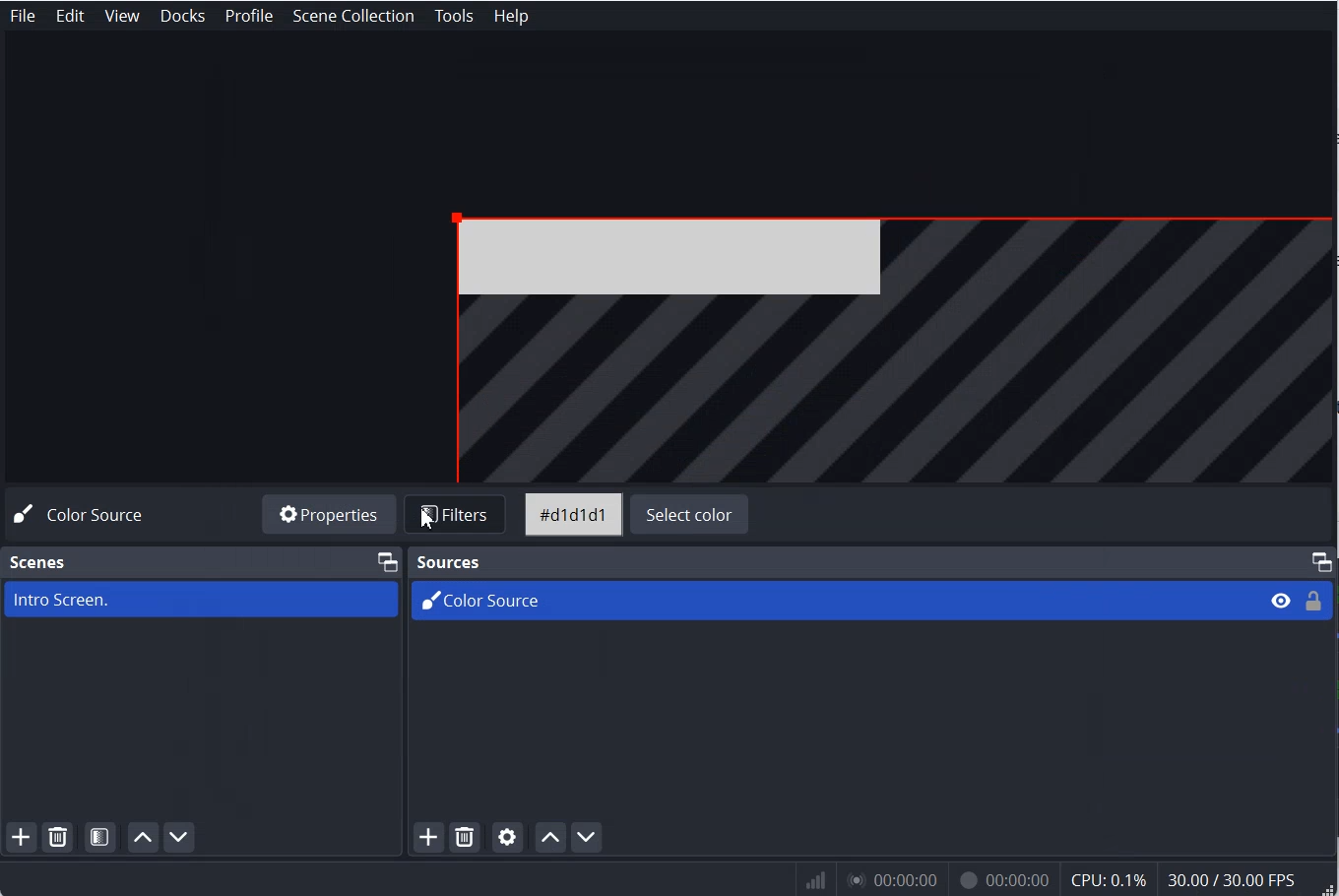 This screenshot has width=1339, height=896. Describe the element at coordinates (459, 516) in the screenshot. I see `Filter` at that location.